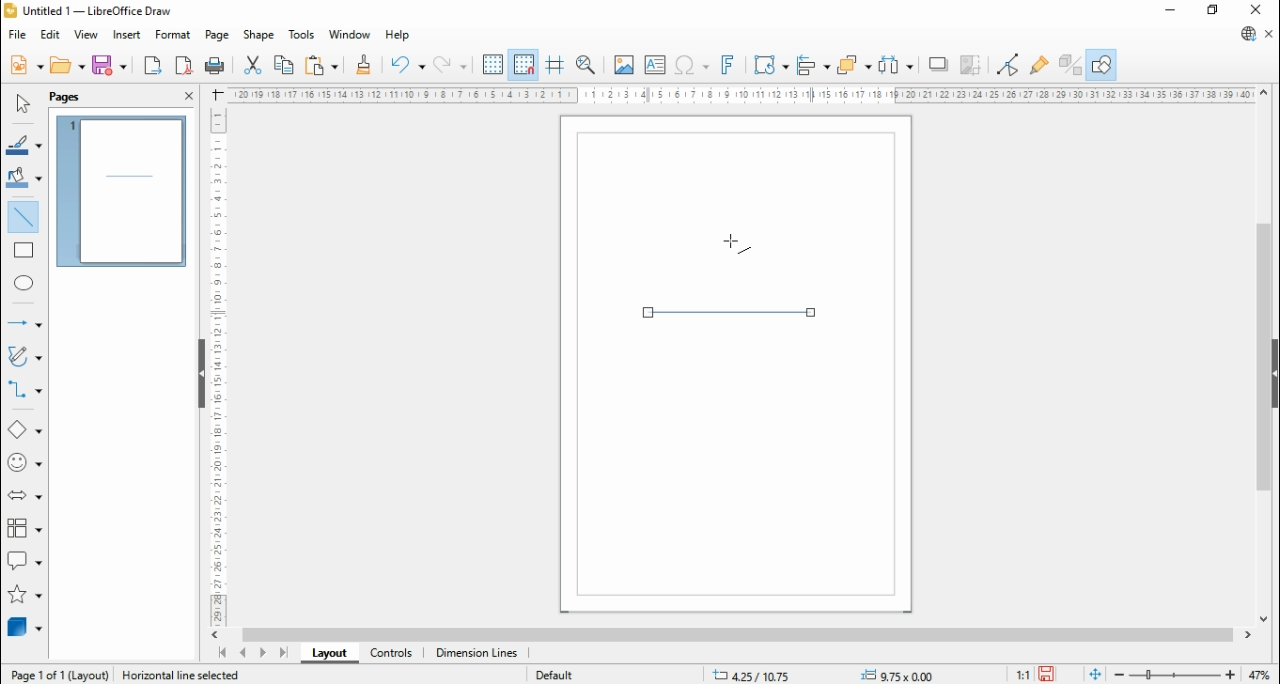  Describe the element at coordinates (24, 145) in the screenshot. I see `line color` at that location.